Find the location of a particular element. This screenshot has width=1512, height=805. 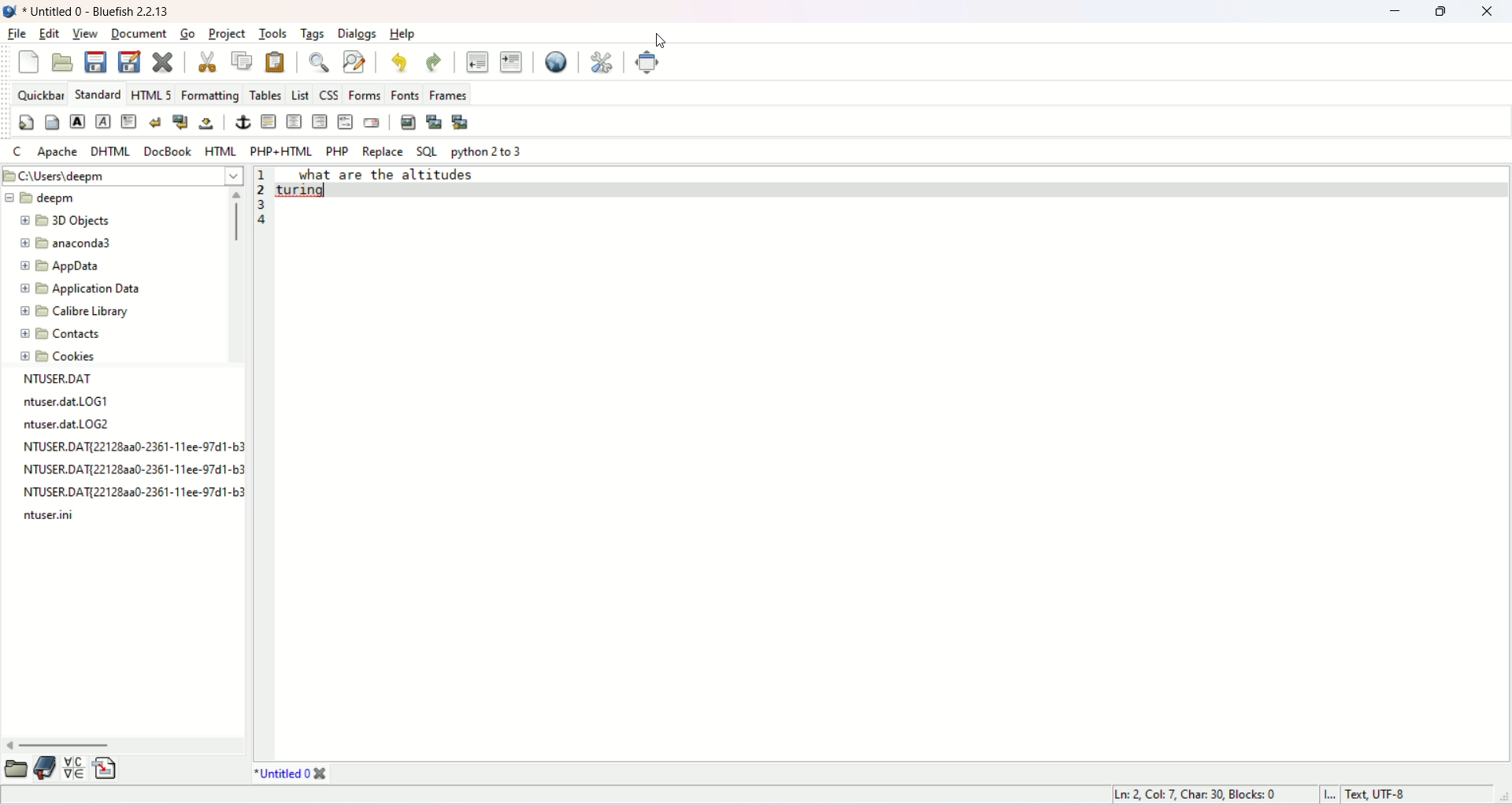

anaconda is located at coordinates (66, 241).